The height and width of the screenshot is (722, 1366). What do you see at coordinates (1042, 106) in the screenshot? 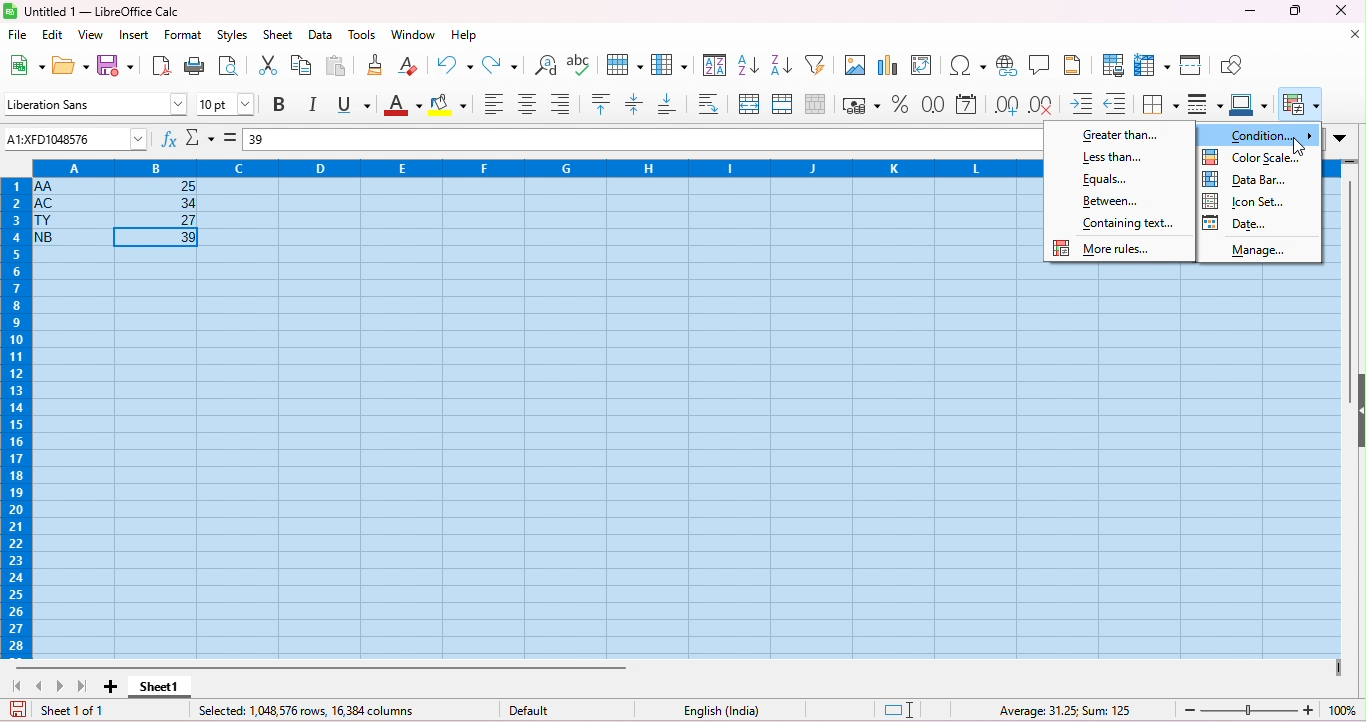
I see `delete decimal` at bounding box center [1042, 106].